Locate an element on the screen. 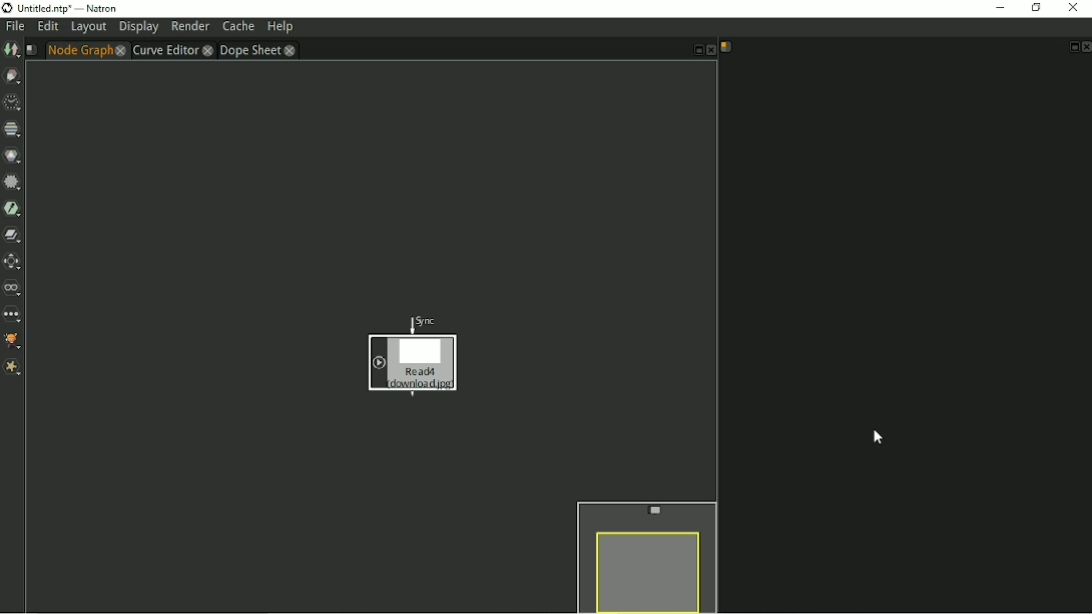 Image resolution: width=1092 pixels, height=614 pixels. Curve Editor is located at coordinates (171, 50).